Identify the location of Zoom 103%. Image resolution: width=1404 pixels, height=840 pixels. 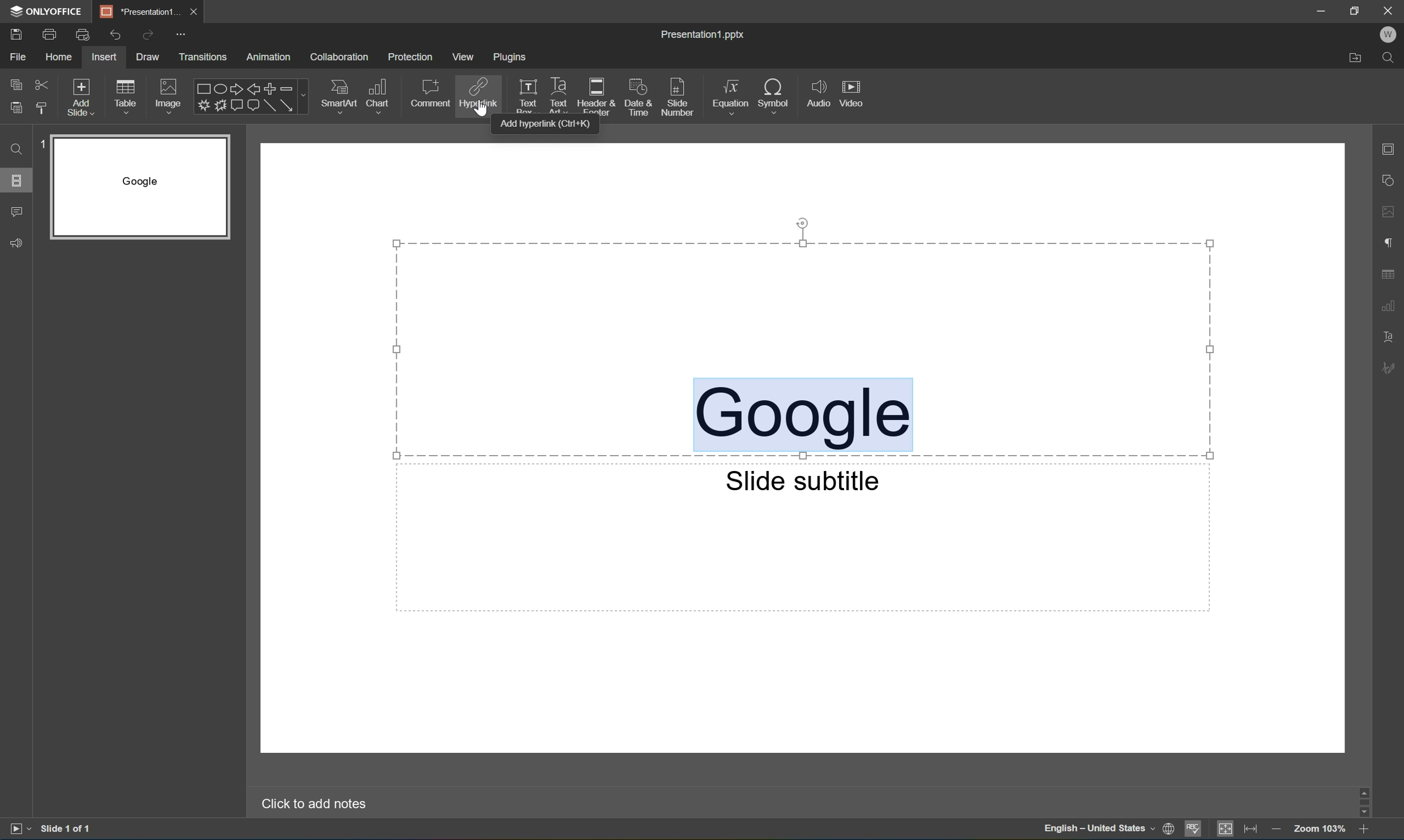
(1321, 828).